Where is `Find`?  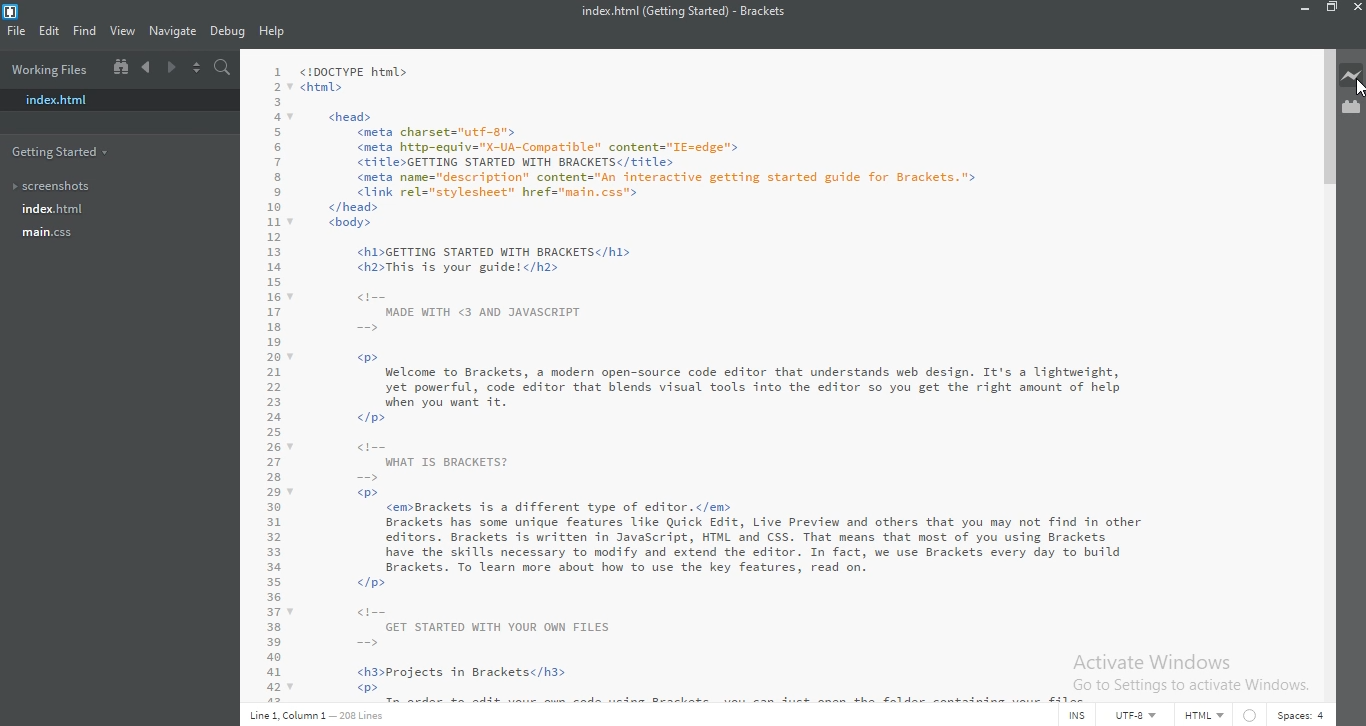
Find is located at coordinates (85, 31).